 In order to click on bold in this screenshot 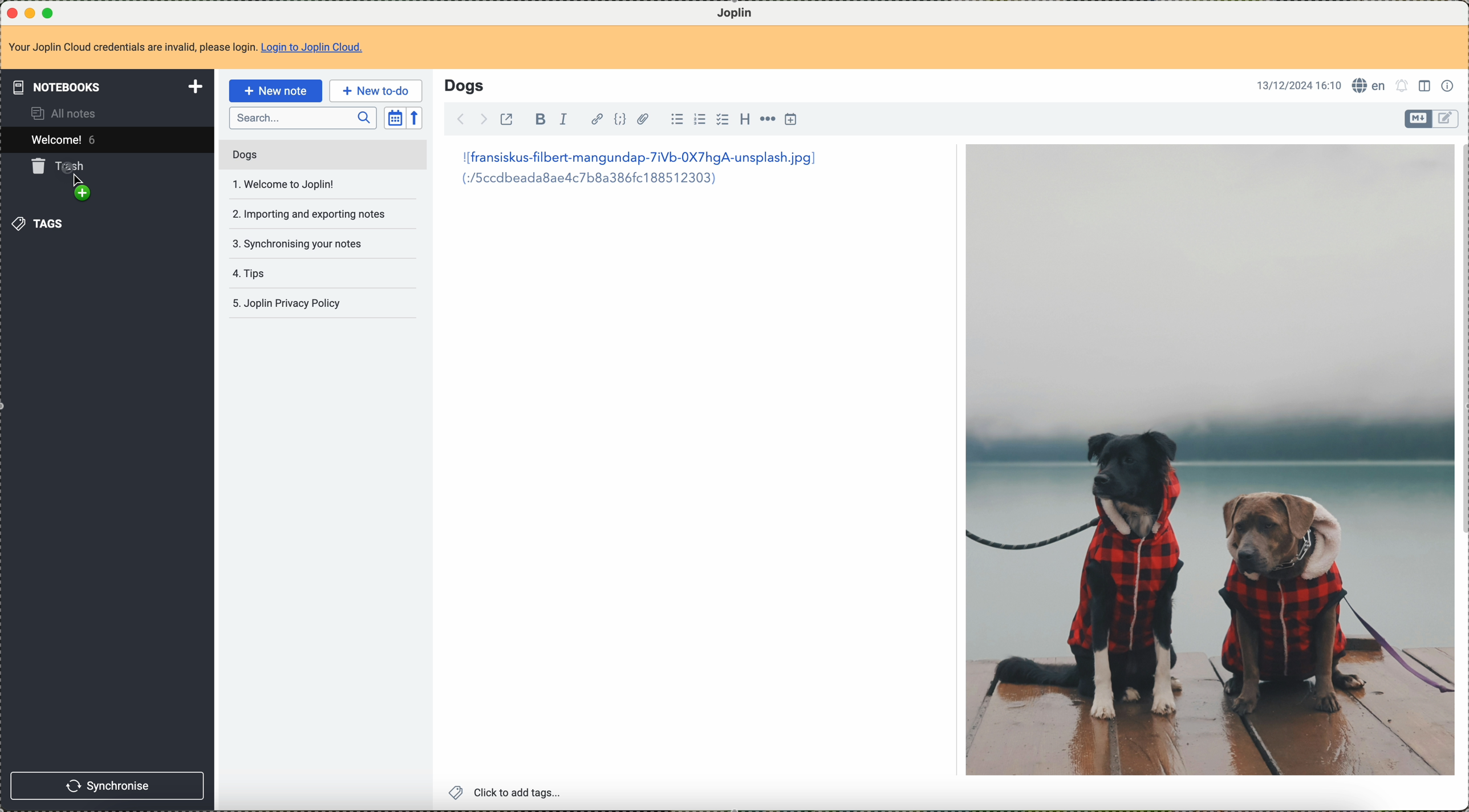, I will do `click(540, 120)`.